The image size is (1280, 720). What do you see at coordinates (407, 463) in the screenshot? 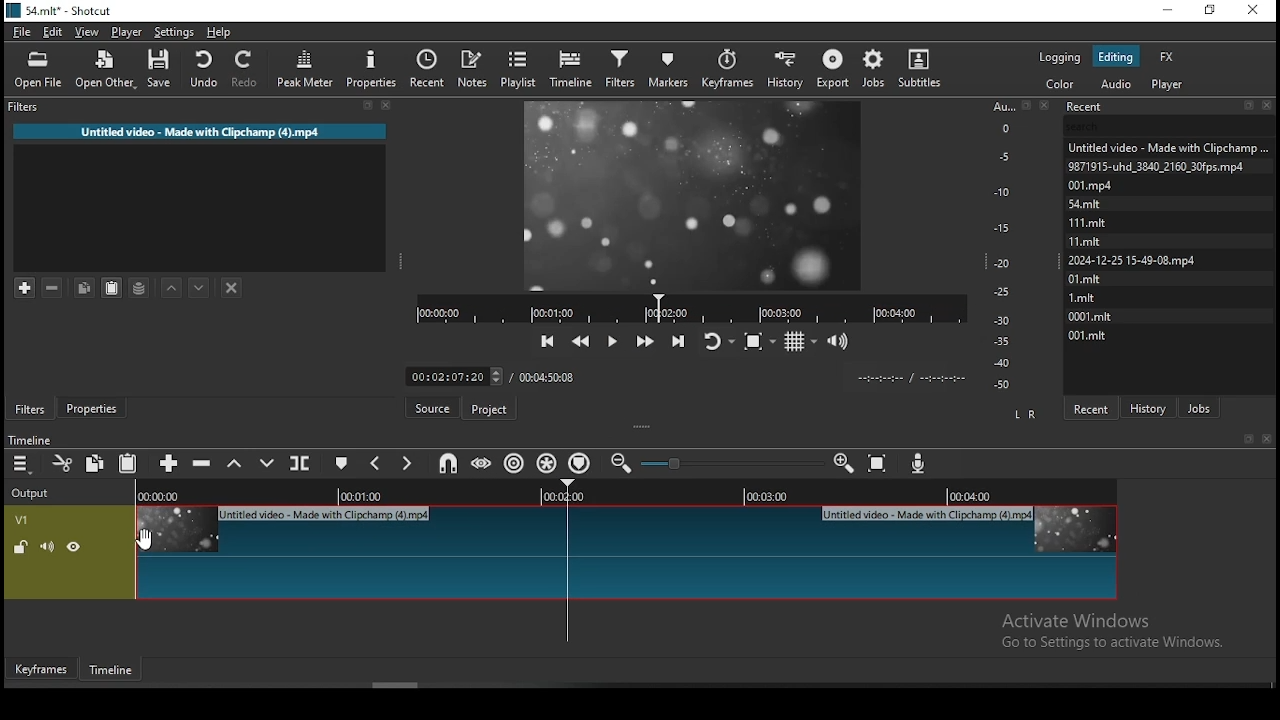
I see `next marker` at bounding box center [407, 463].